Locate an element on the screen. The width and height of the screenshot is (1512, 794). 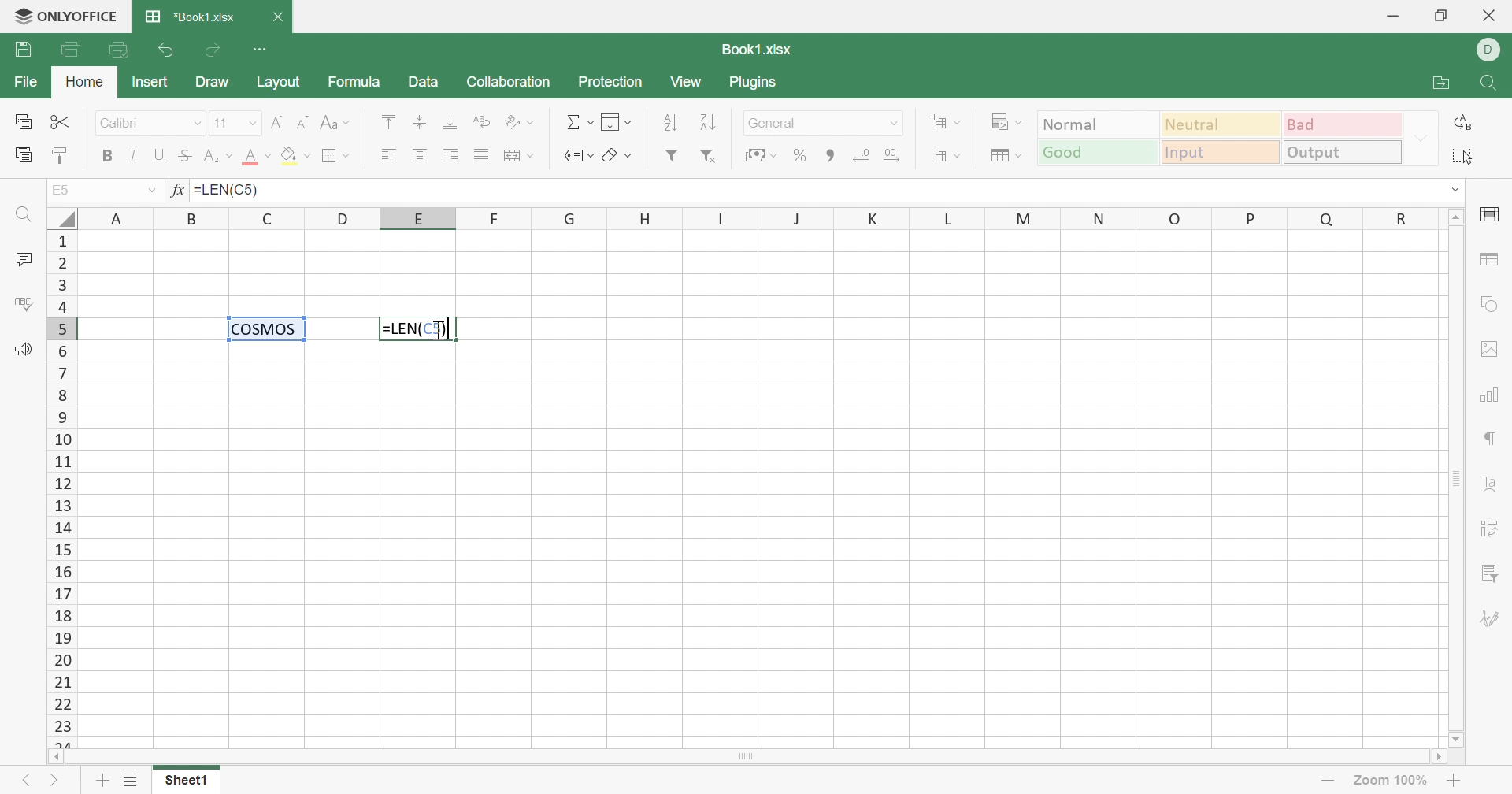
Layout is located at coordinates (279, 82).